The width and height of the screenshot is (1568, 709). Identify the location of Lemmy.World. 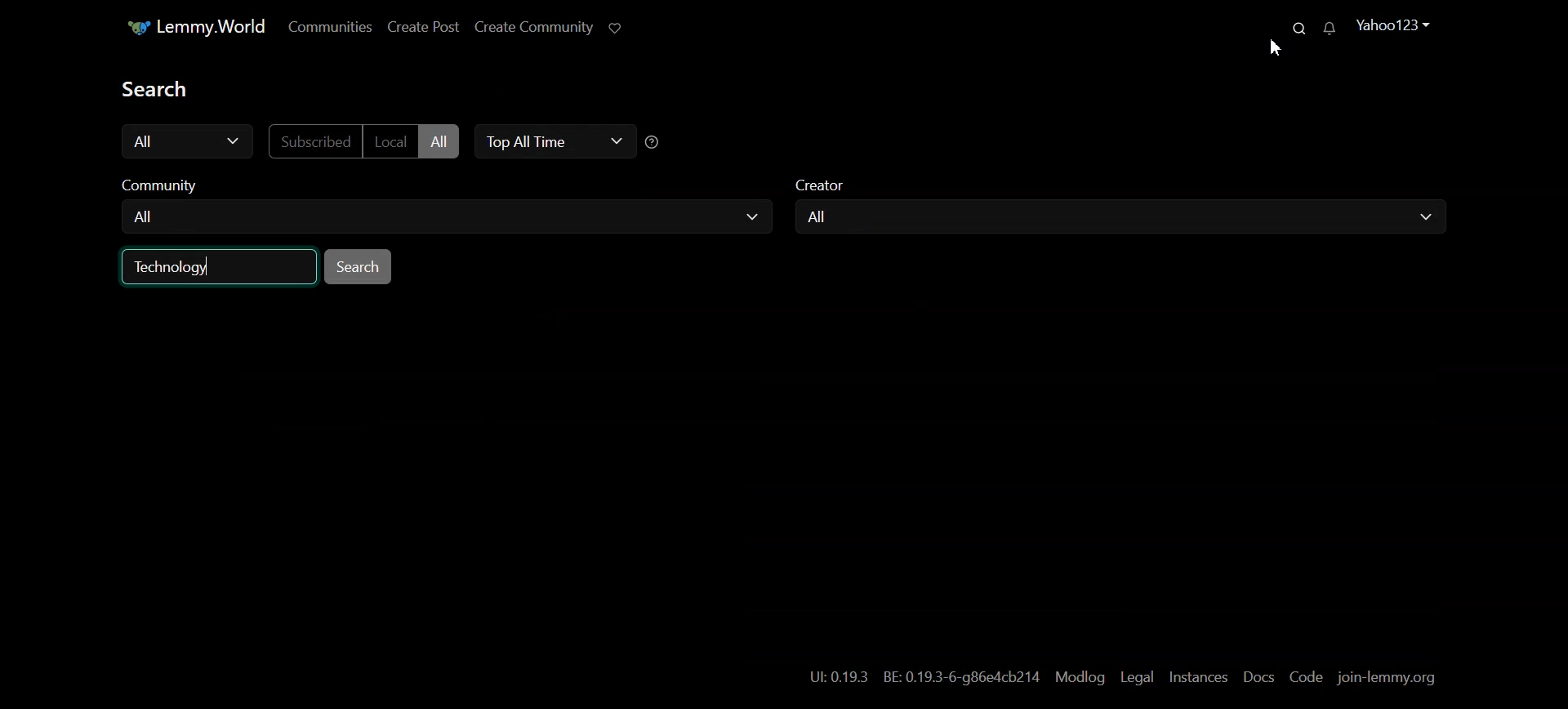
(196, 27).